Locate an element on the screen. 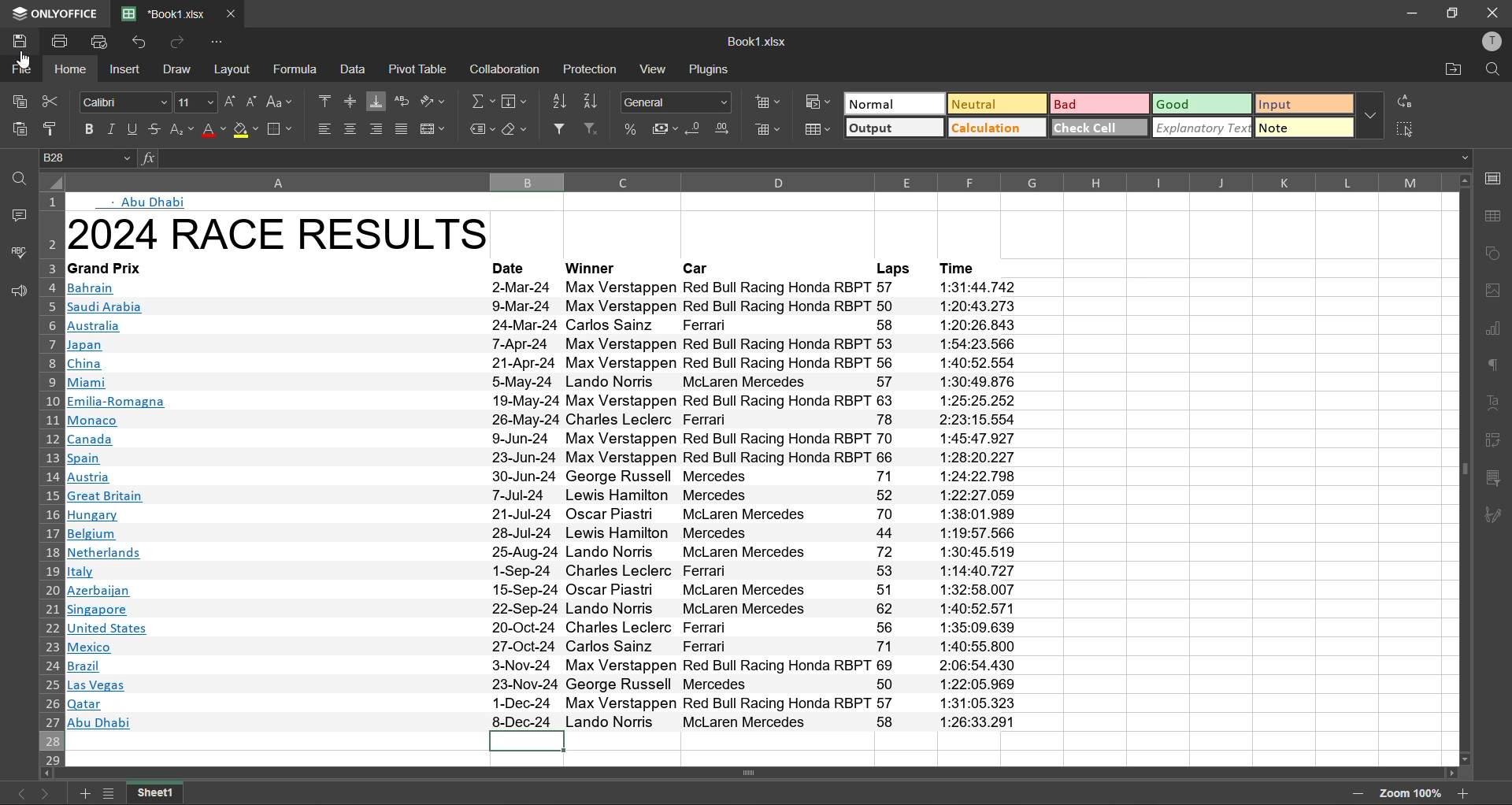 Image resolution: width=1512 pixels, height=805 pixels. named ranges is located at coordinates (478, 128).